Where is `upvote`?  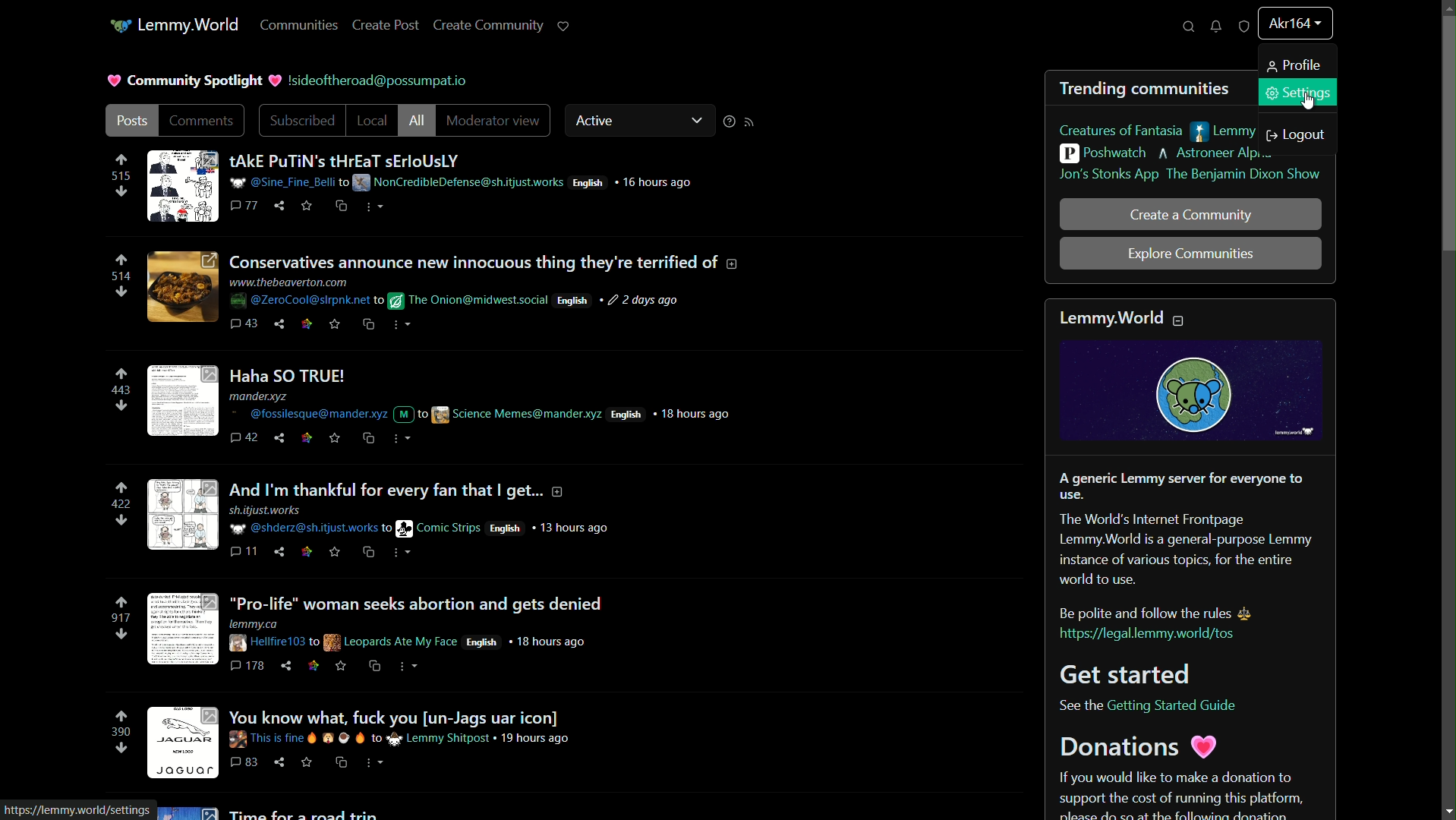 upvote is located at coordinates (121, 159).